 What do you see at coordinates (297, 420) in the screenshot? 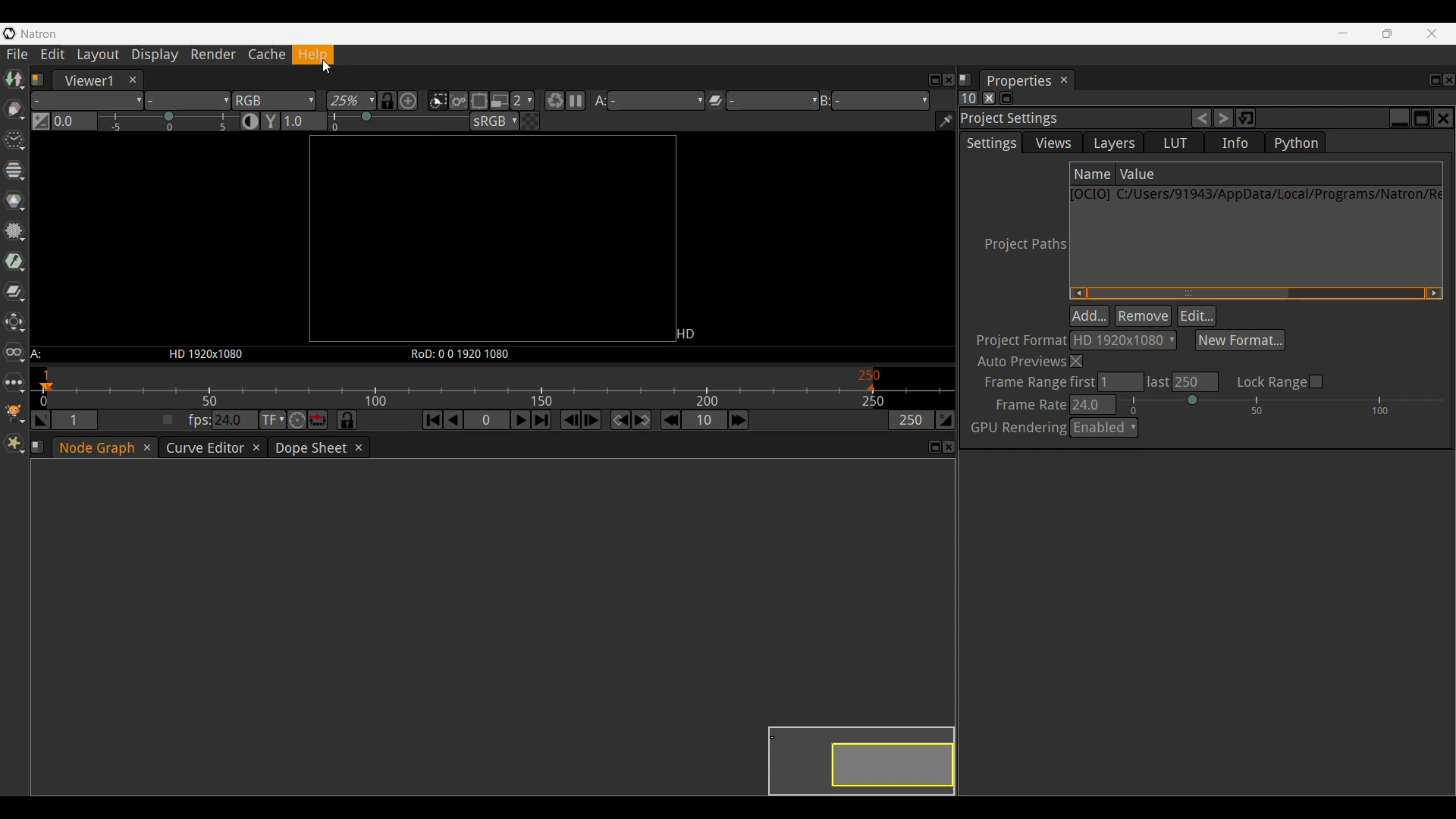
I see `Turbo mode` at bounding box center [297, 420].